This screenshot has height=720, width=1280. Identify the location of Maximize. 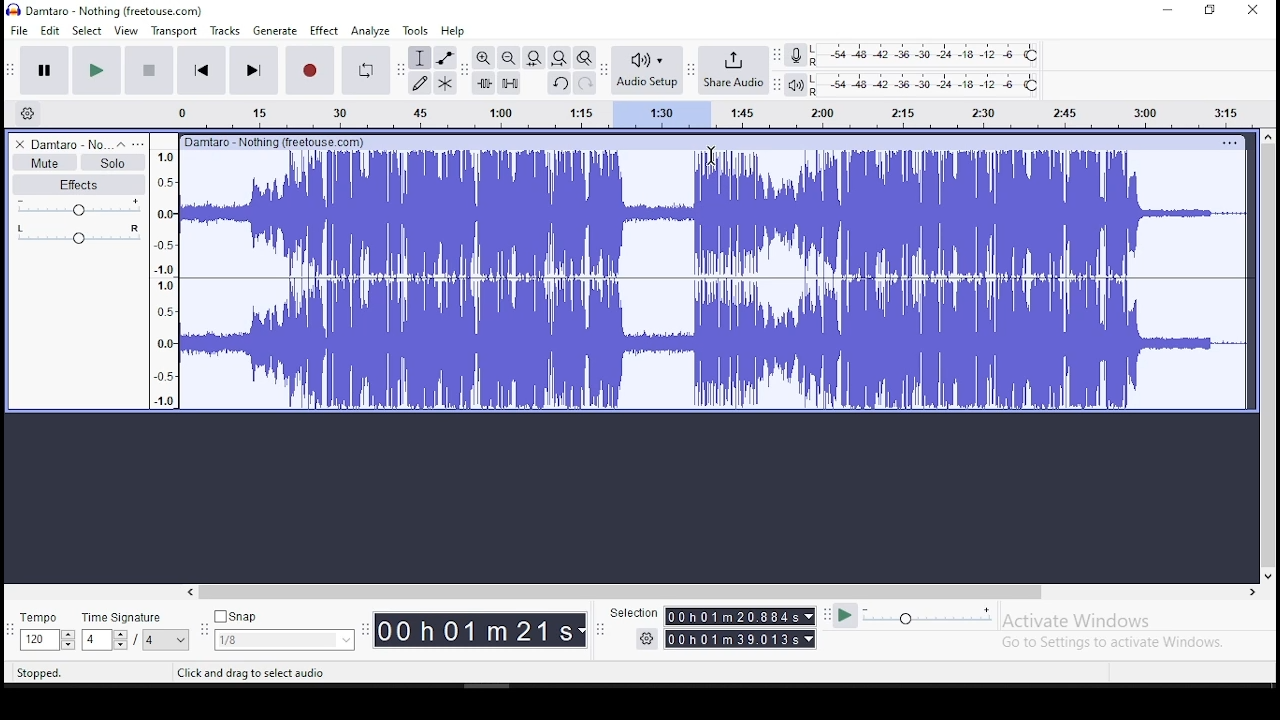
(1210, 10).